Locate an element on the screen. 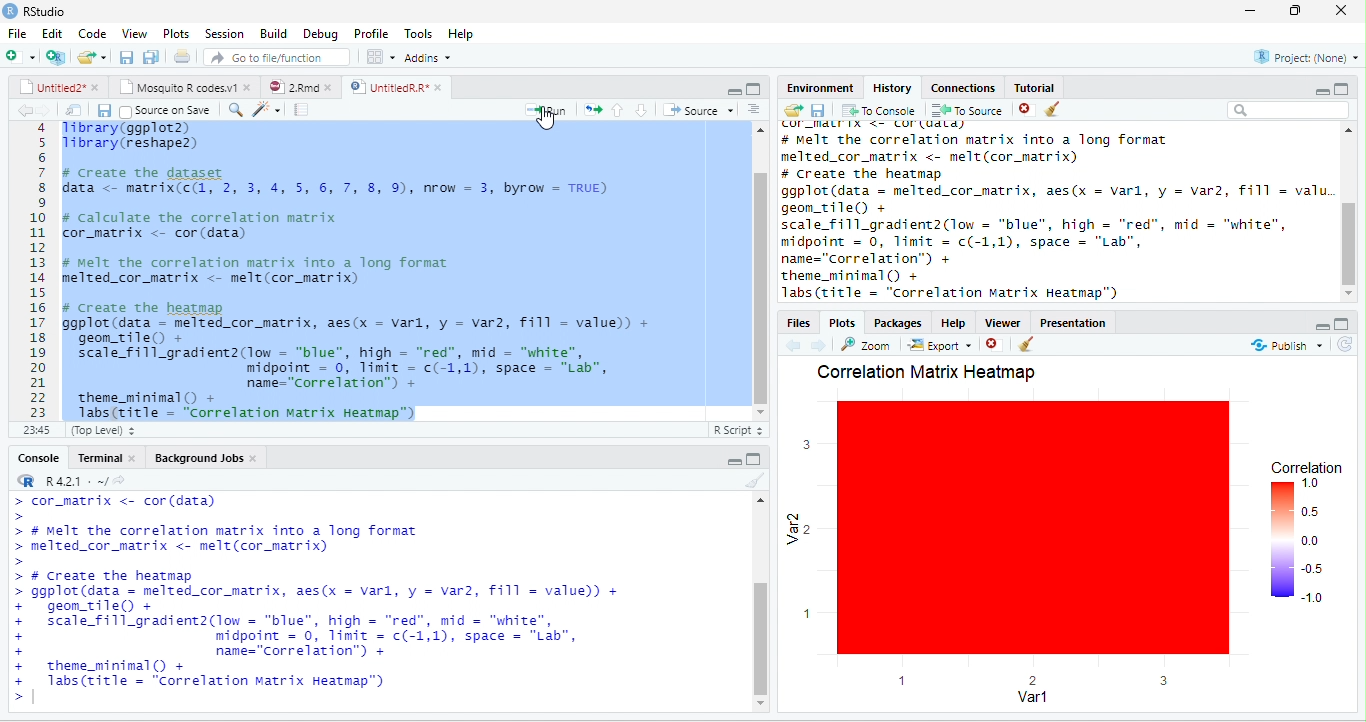 The image size is (1366, 722). R is located at coordinates (72, 478).